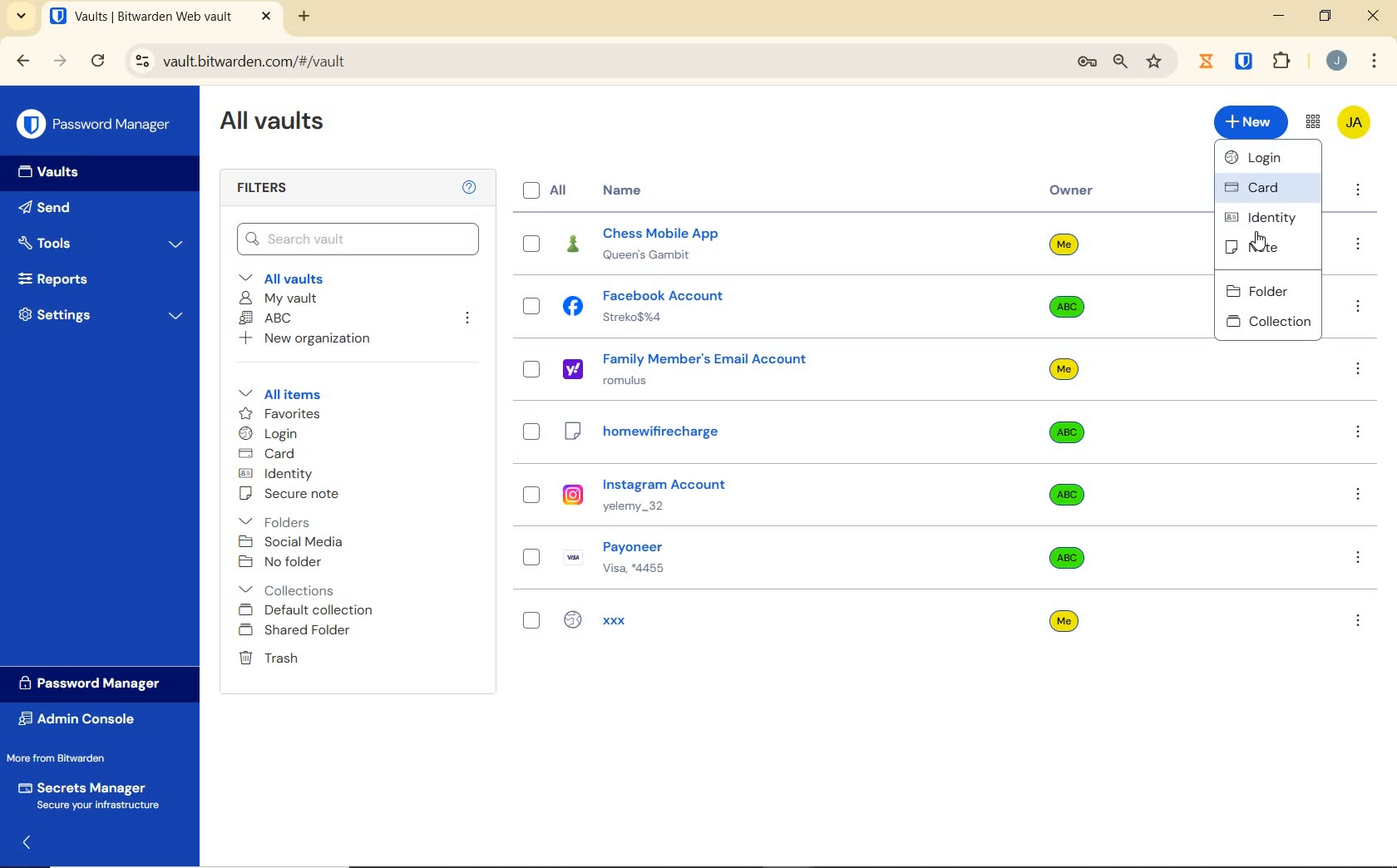  I want to click on MINIMIZE, so click(1281, 17).